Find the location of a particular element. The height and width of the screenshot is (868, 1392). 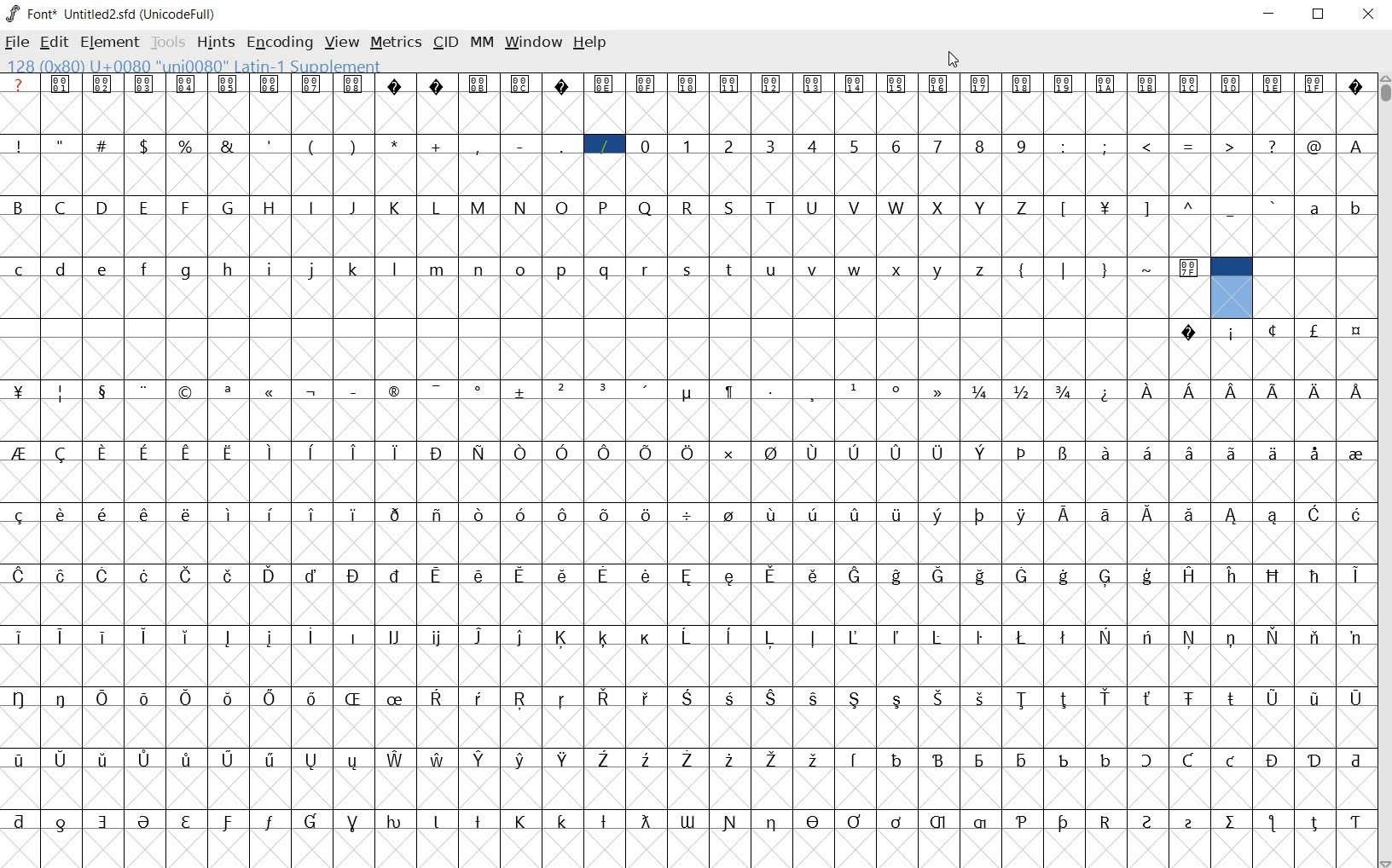

Symbol is located at coordinates (104, 453).